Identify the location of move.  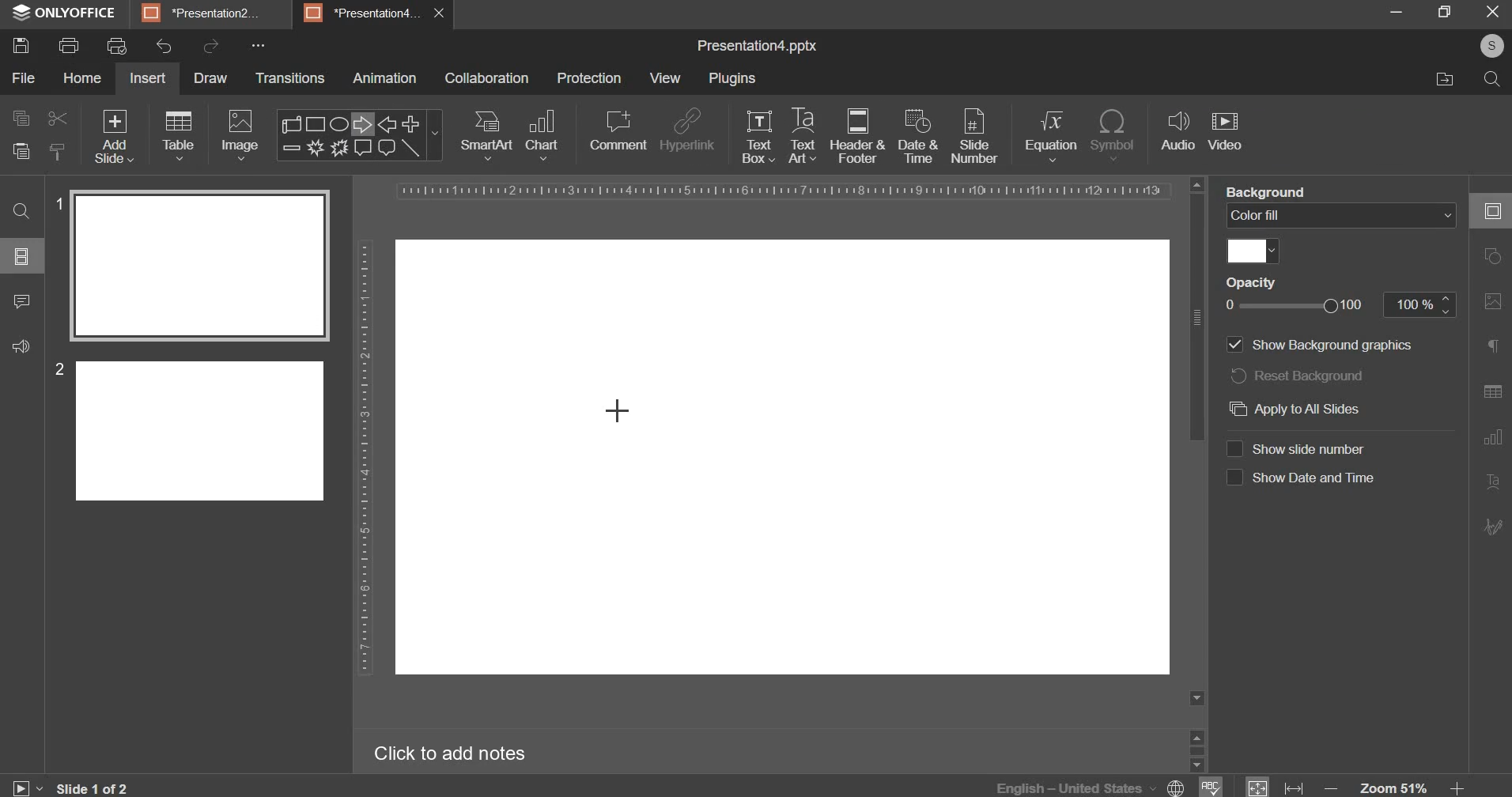
(1441, 81).